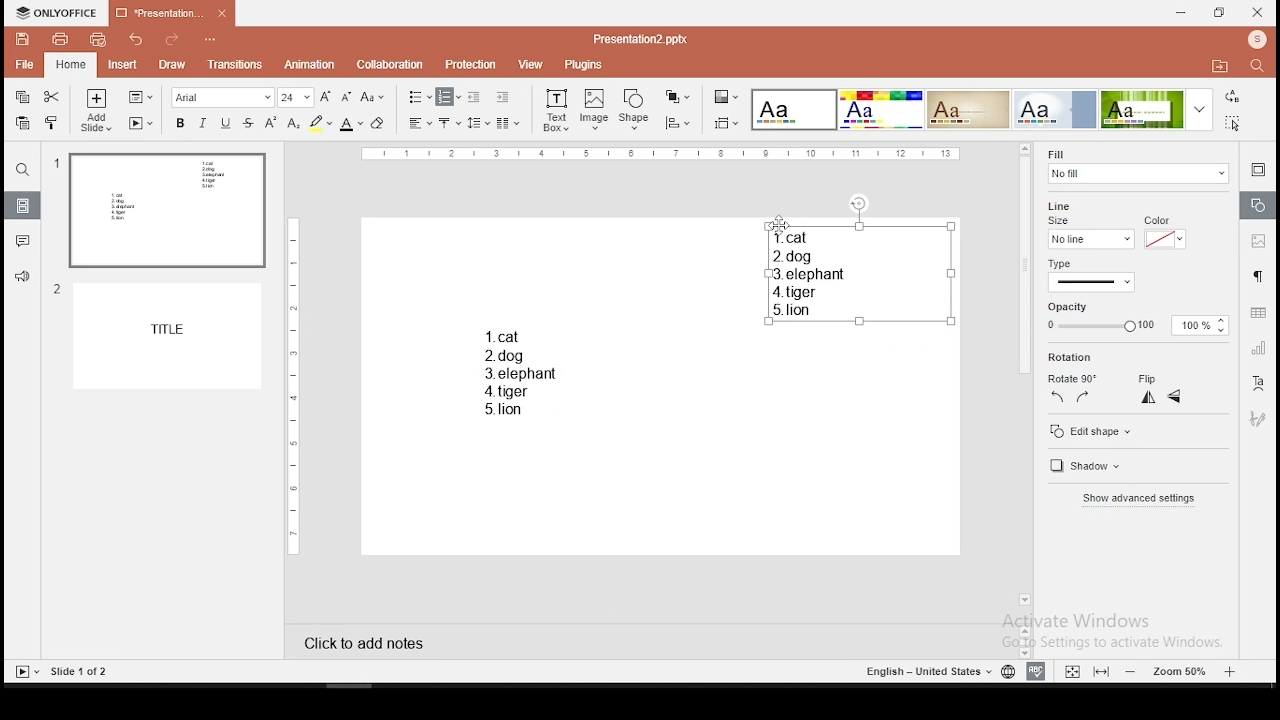 The width and height of the screenshot is (1280, 720). I want to click on increase font size, so click(324, 96).